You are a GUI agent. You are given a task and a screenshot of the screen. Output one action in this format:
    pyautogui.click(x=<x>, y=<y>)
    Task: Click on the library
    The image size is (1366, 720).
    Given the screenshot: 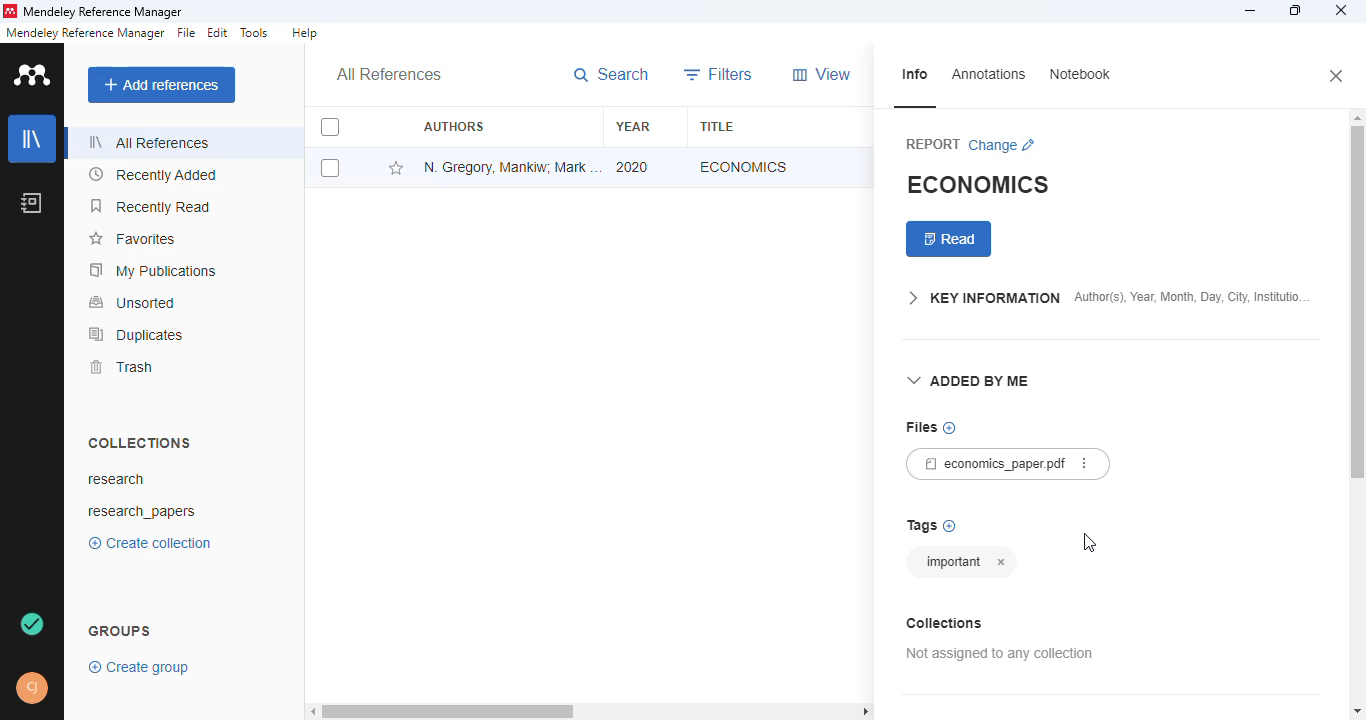 What is the action you would take?
    pyautogui.click(x=32, y=139)
    